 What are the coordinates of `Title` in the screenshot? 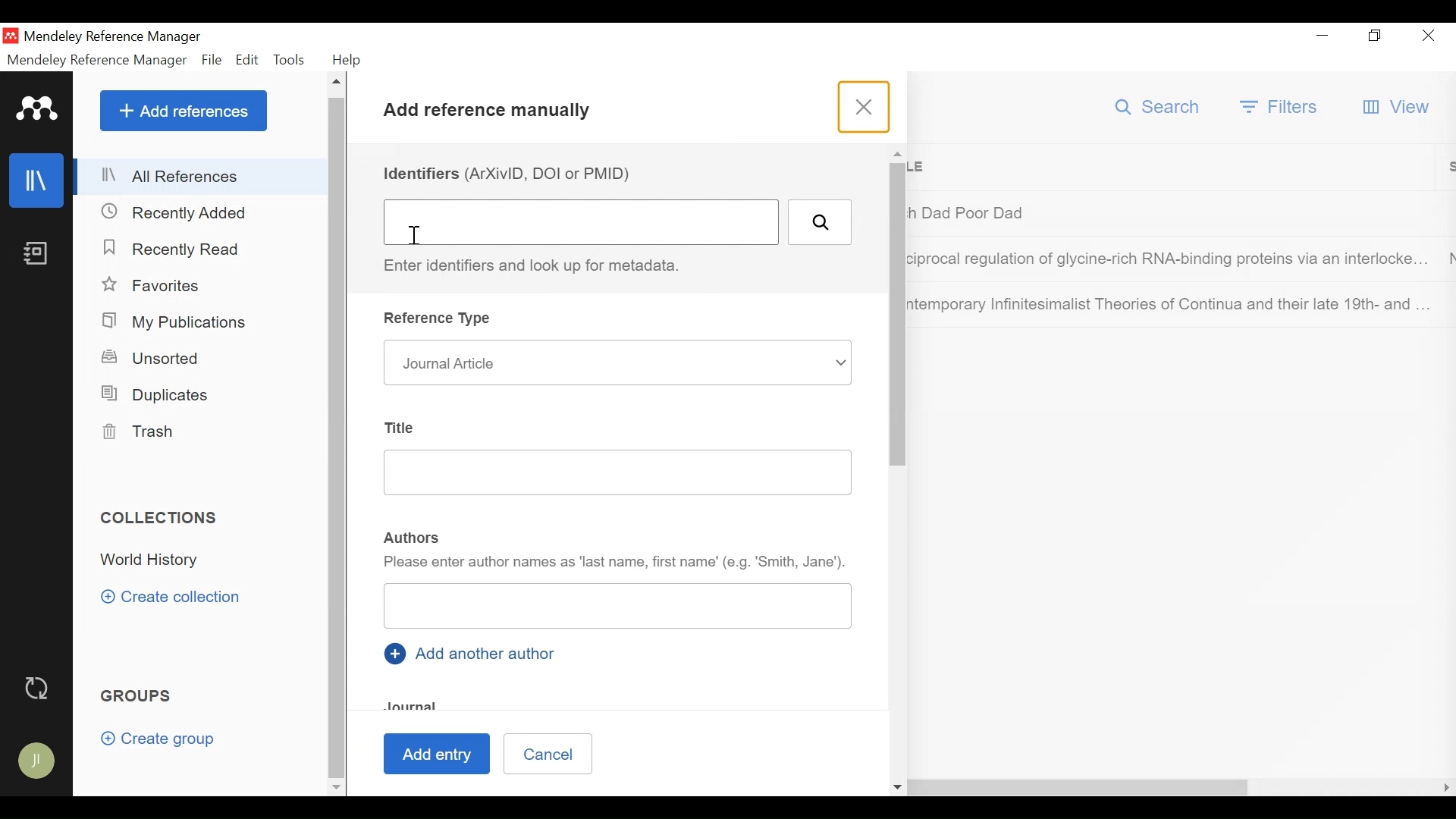 It's located at (400, 425).